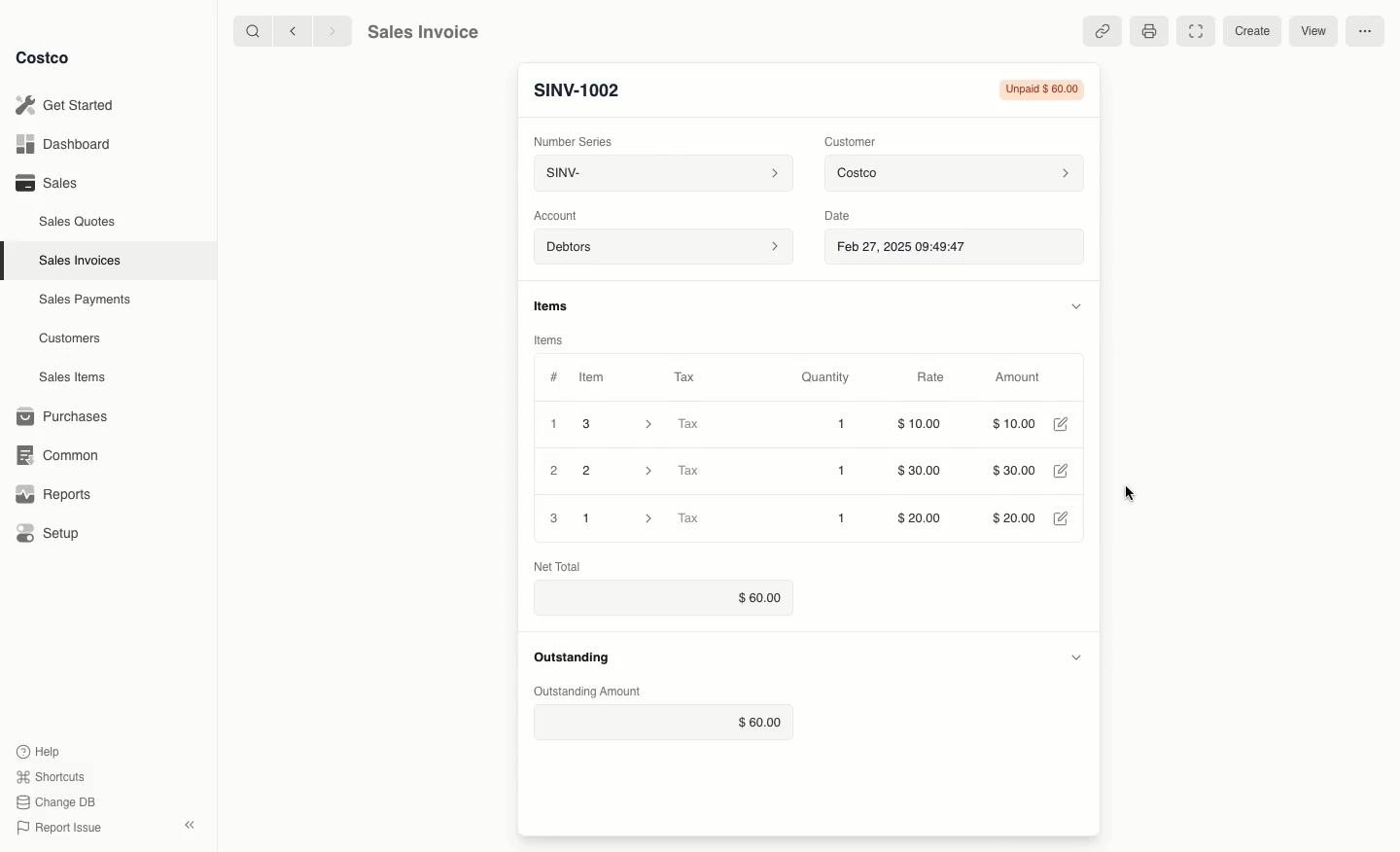  Describe the element at coordinates (1056, 424) in the screenshot. I see `Edit` at that location.